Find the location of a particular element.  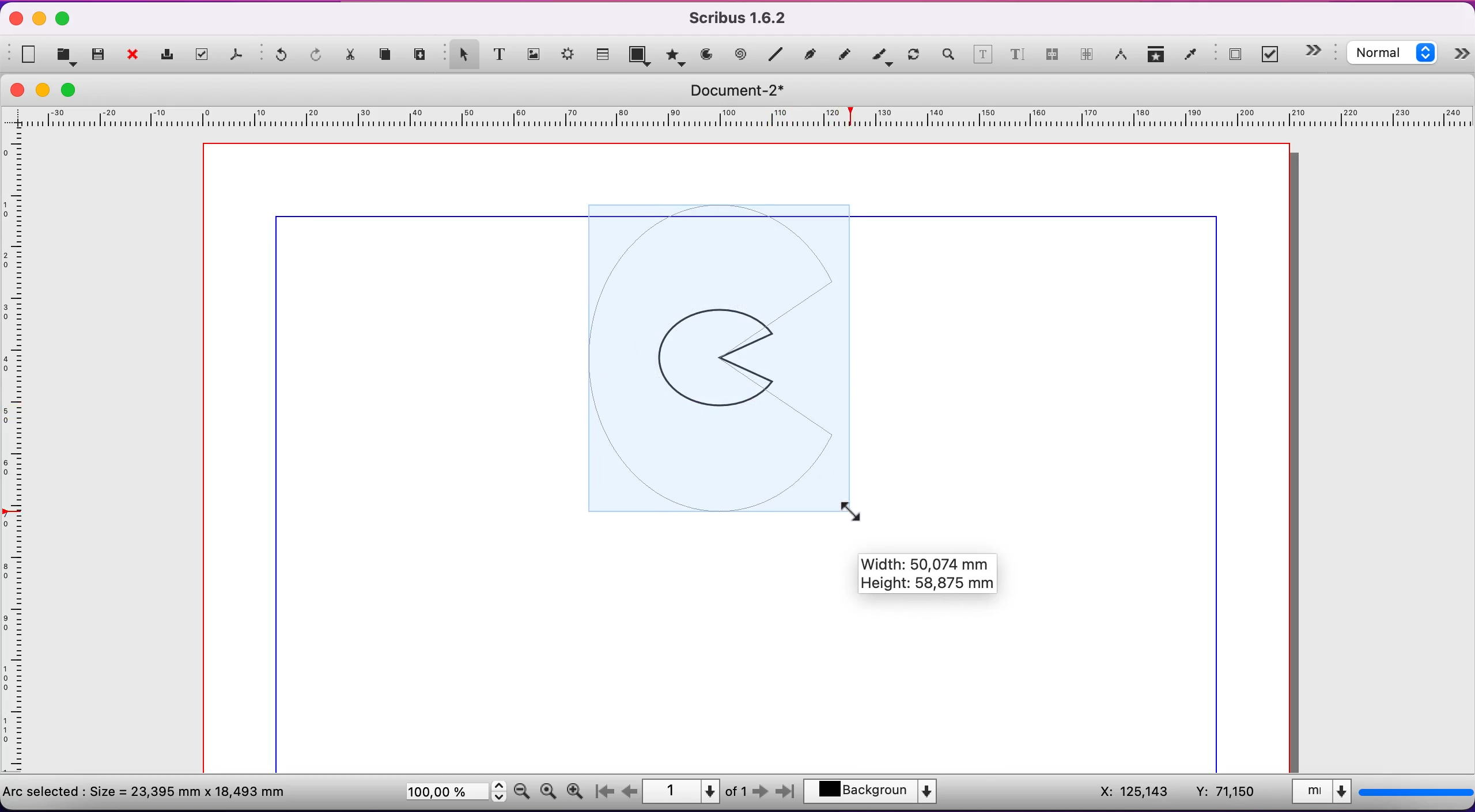

number of page is located at coordinates (696, 791).